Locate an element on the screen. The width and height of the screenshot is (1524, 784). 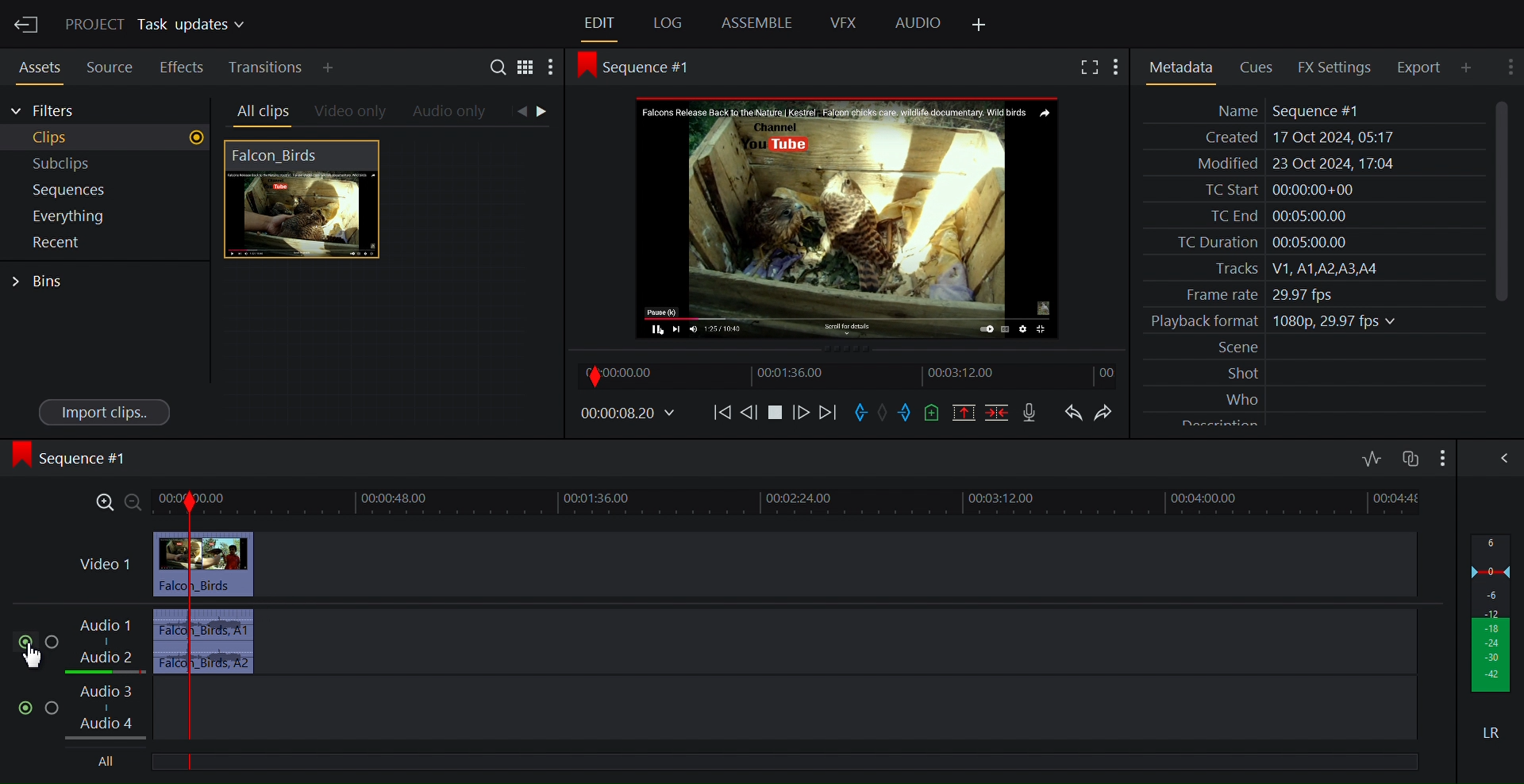
Toggle audio track sync is located at coordinates (1409, 459).